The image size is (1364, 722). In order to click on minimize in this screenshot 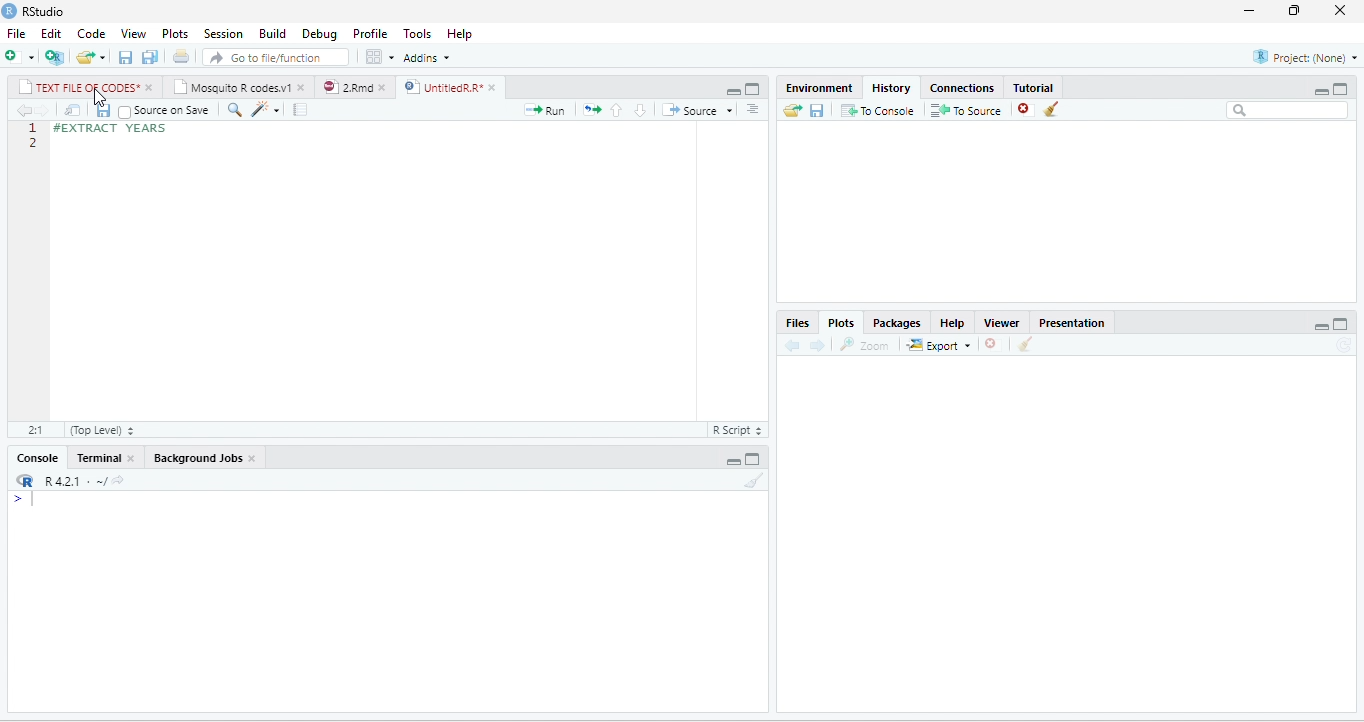, I will do `click(1321, 326)`.